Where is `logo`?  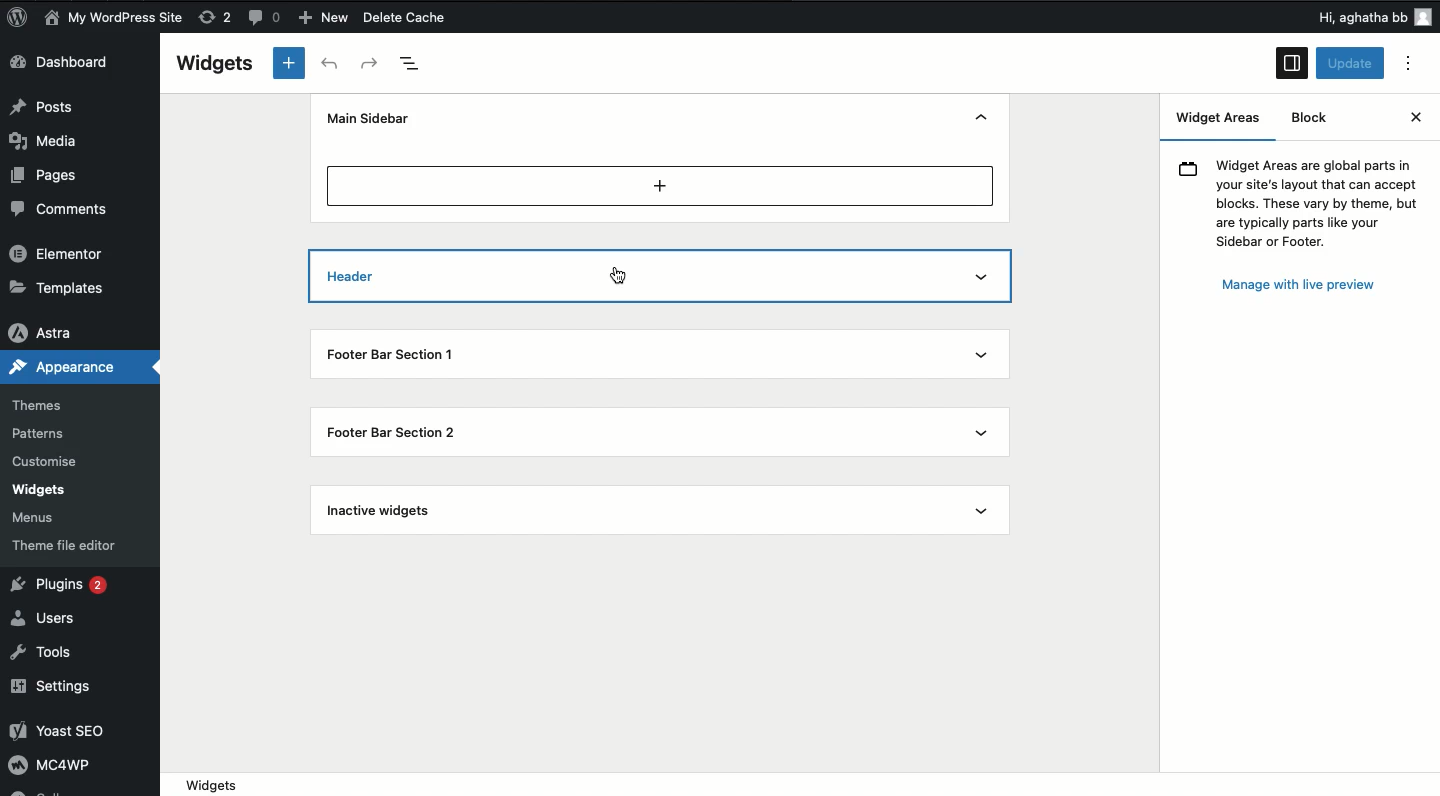
logo is located at coordinates (21, 18).